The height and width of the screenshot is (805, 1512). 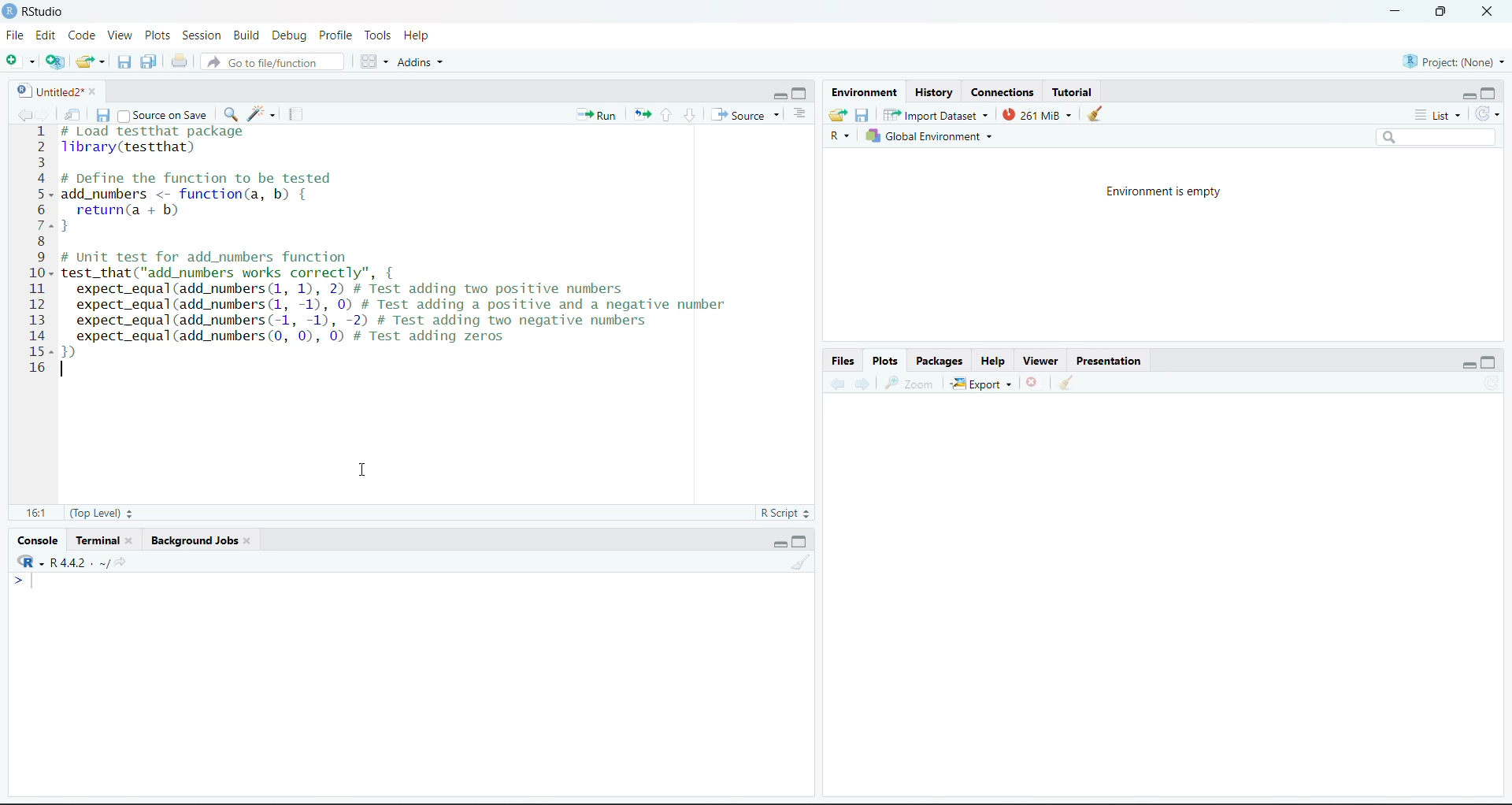 I want to click on Global Environment, so click(x=930, y=135).